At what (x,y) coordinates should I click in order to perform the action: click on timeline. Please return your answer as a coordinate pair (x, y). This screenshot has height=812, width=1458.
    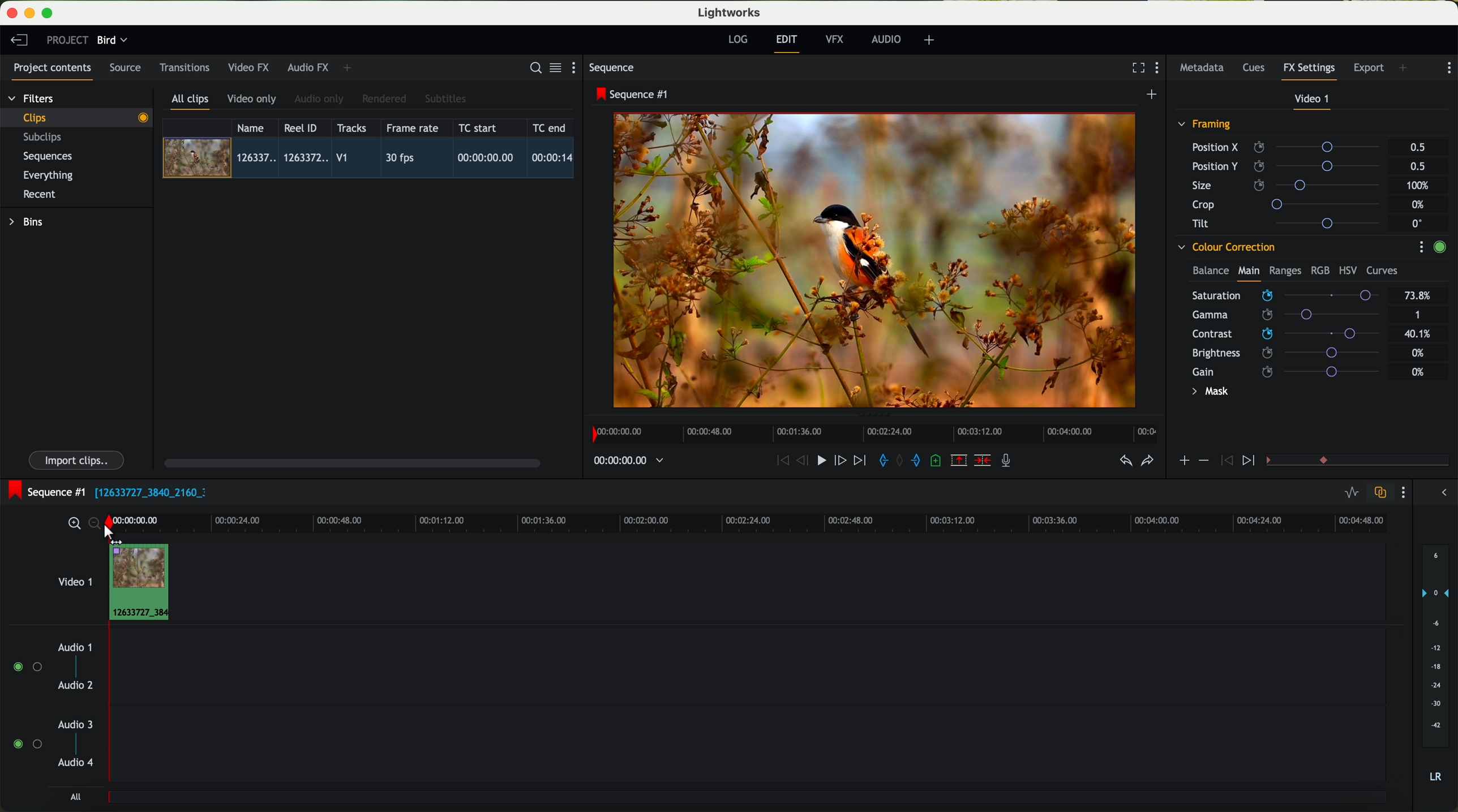
    Looking at the image, I should click on (623, 461).